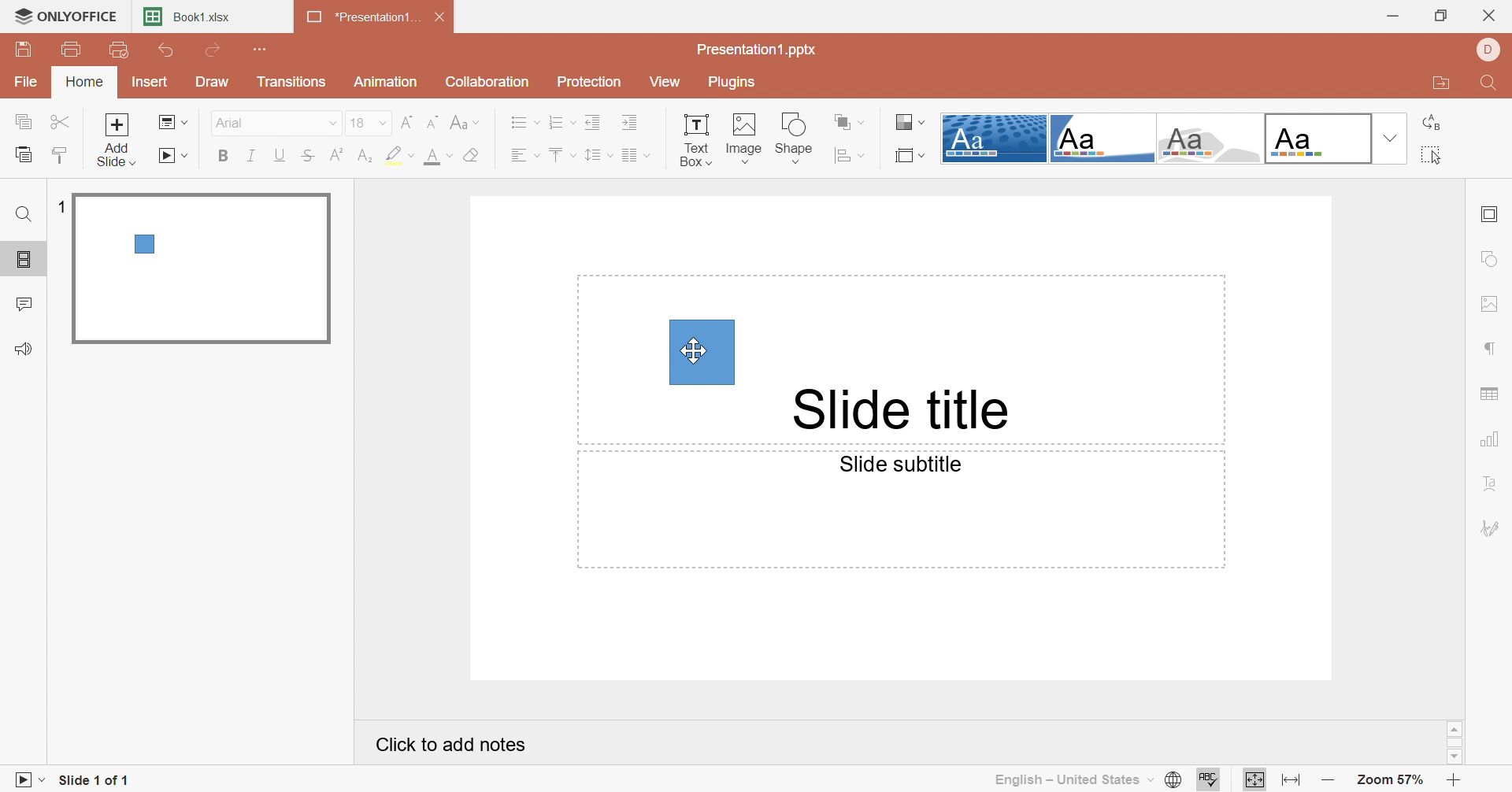 Image resolution: width=1512 pixels, height=792 pixels. I want to click on Close, so click(1492, 17).